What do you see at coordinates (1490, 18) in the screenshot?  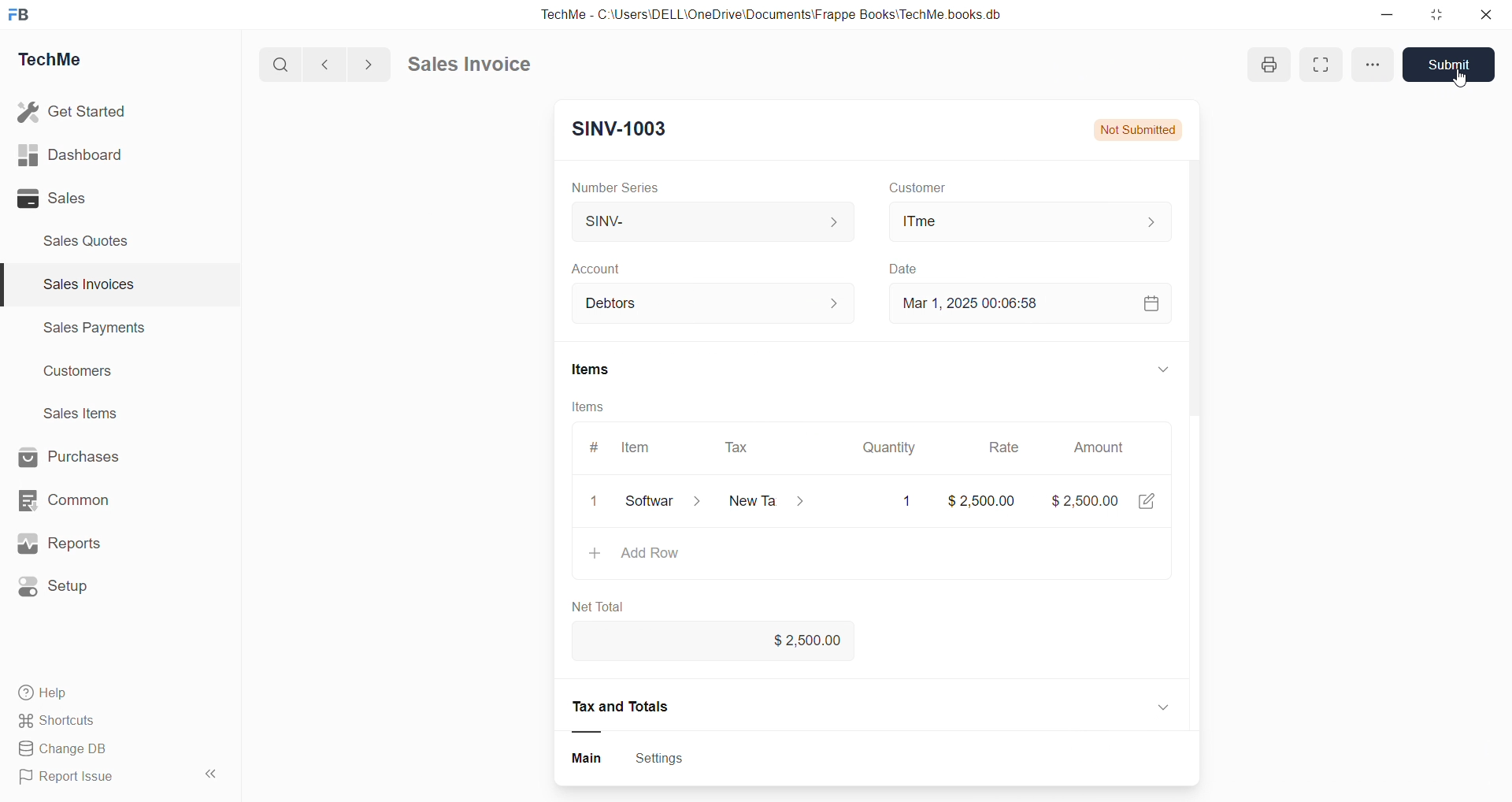 I see `Close` at bounding box center [1490, 18].